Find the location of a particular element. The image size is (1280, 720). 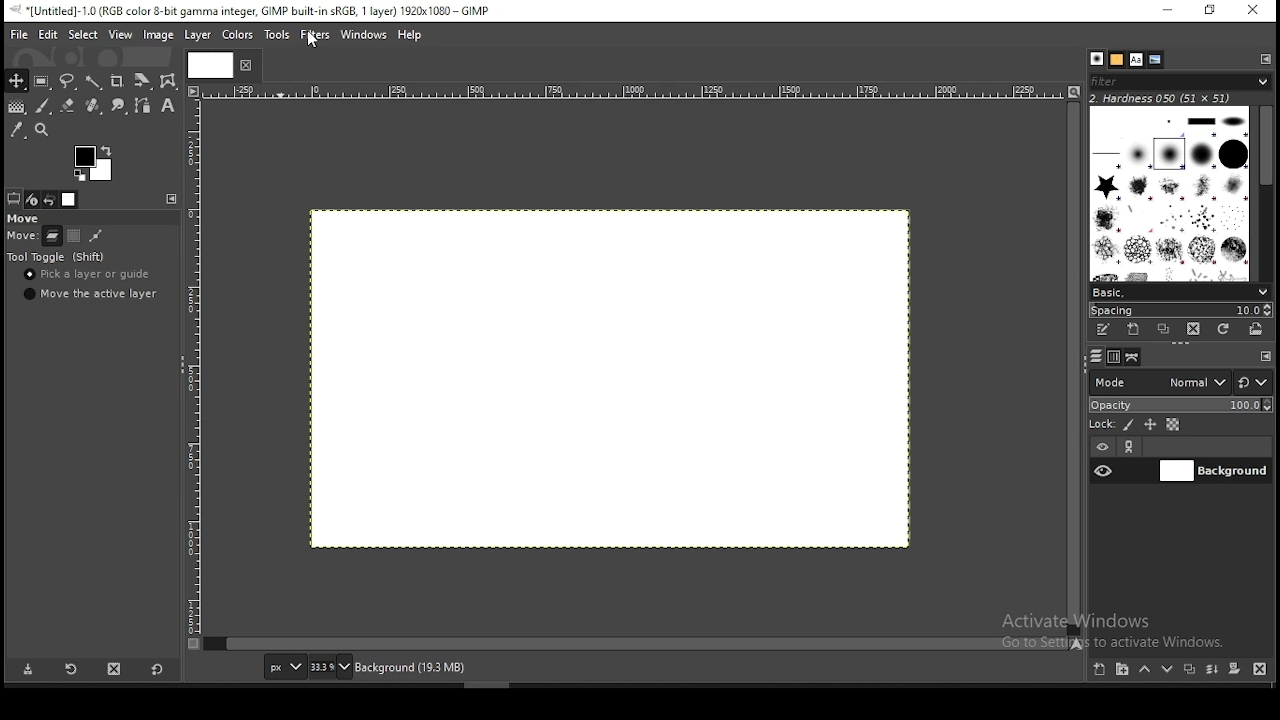

brush presets is located at coordinates (1180, 293).